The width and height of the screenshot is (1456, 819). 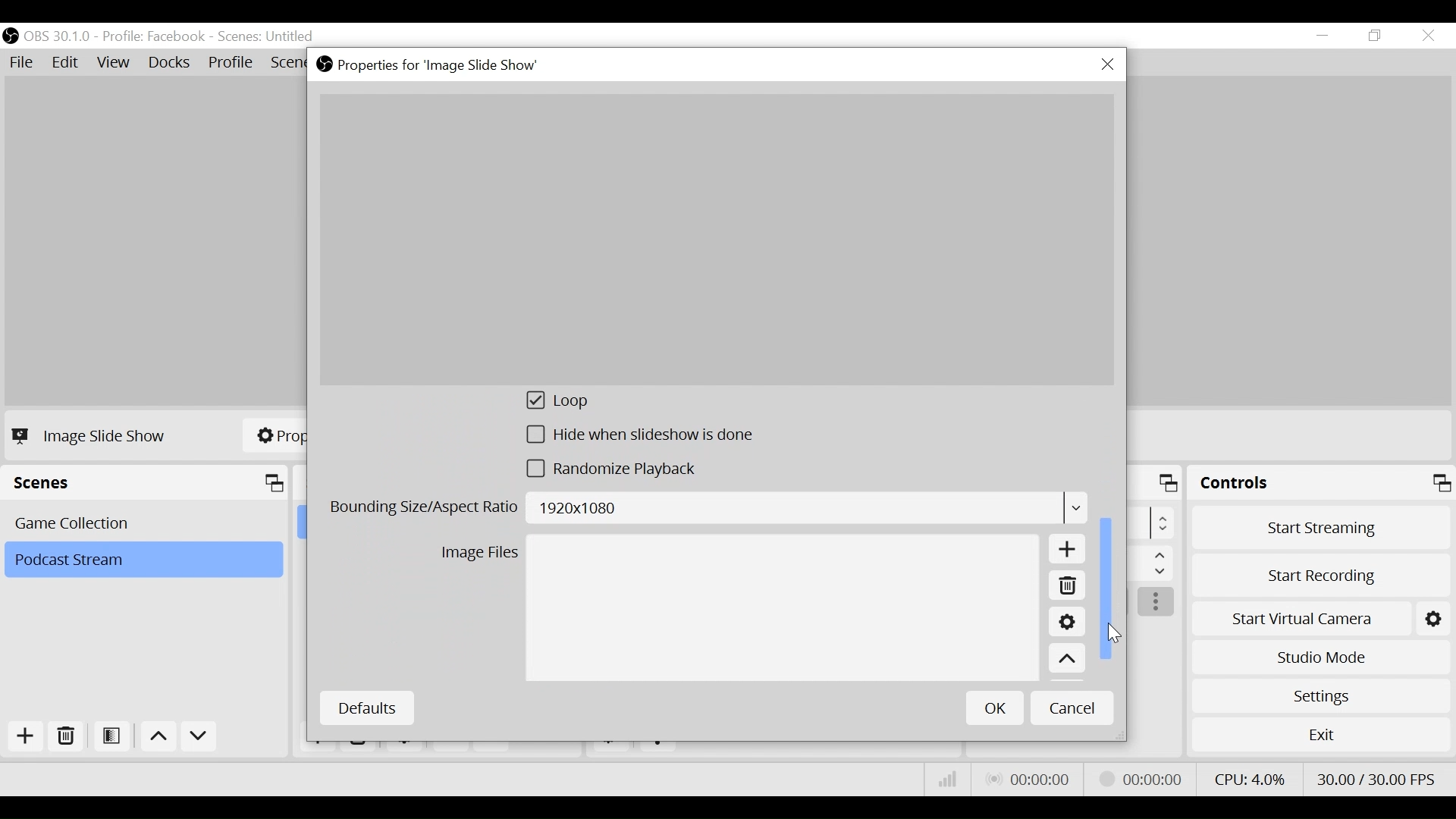 What do you see at coordinates (149, 483) in the screenshot?
I see `Scenes` at bounding box center [149, 483].